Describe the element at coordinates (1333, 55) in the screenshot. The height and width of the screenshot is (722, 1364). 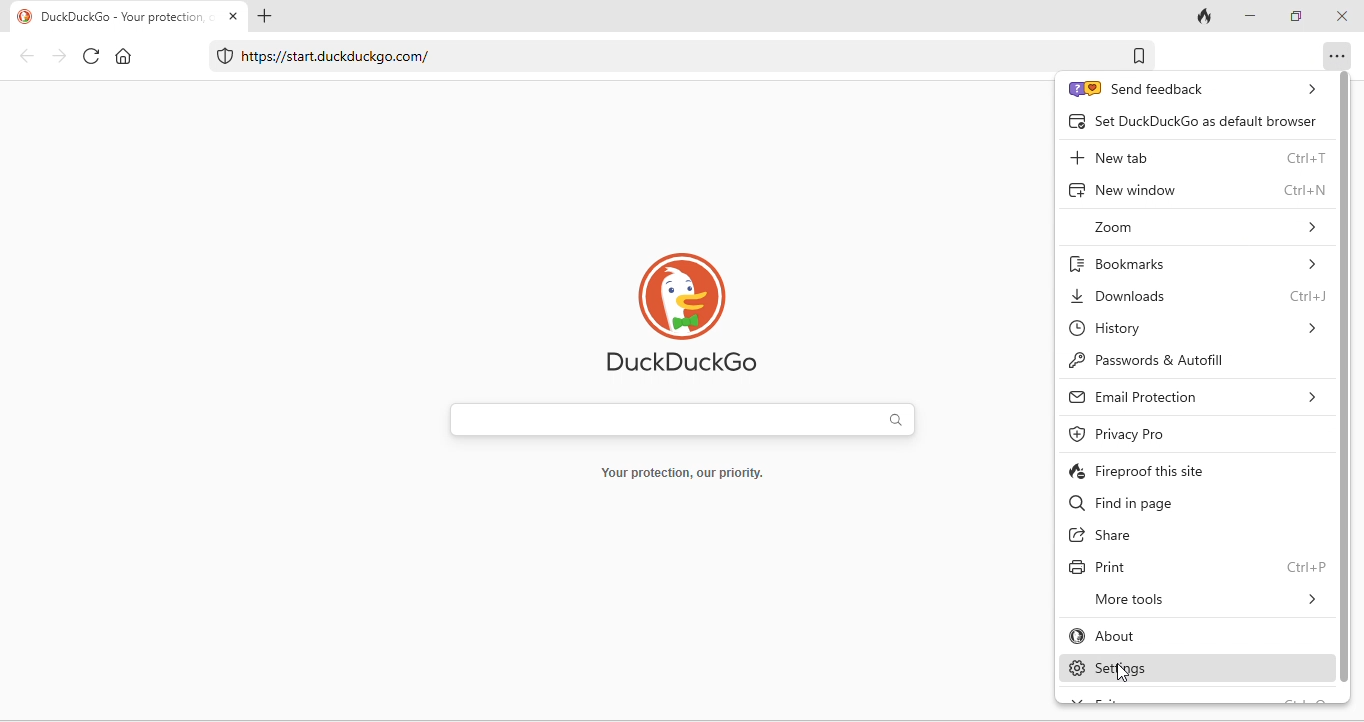
I see `options` at that location.